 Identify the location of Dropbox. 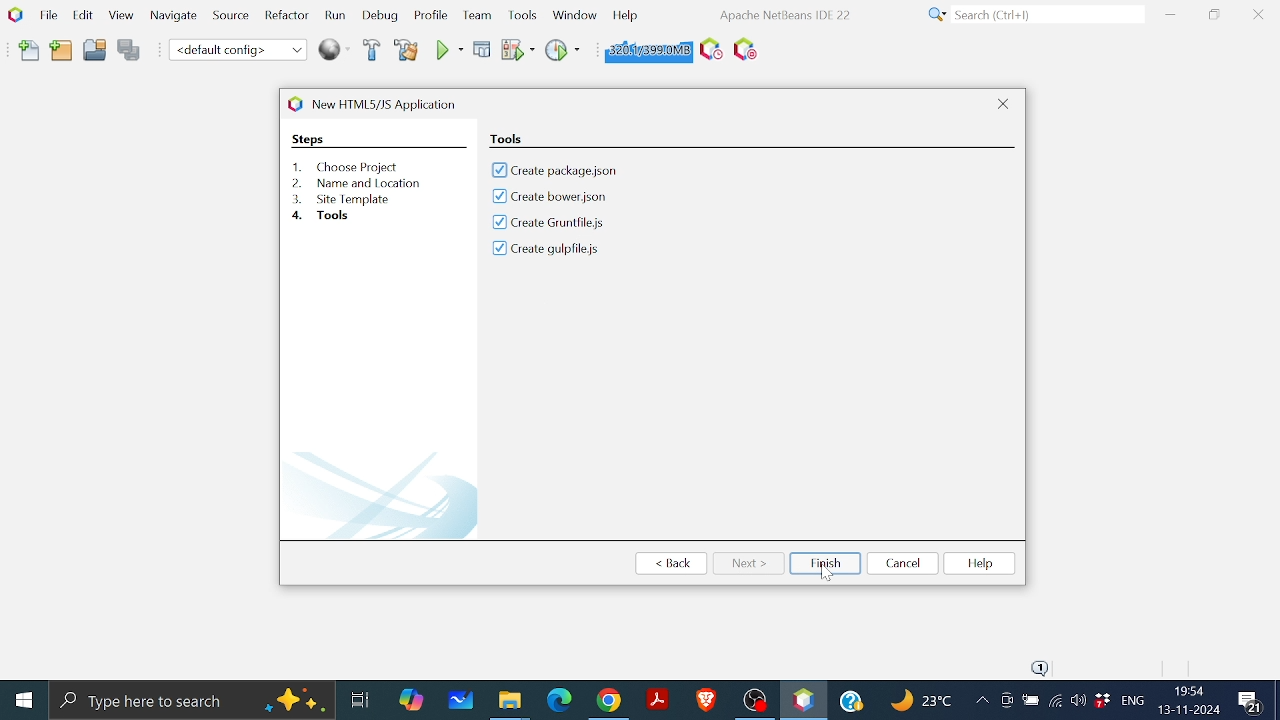
(1102, 701).